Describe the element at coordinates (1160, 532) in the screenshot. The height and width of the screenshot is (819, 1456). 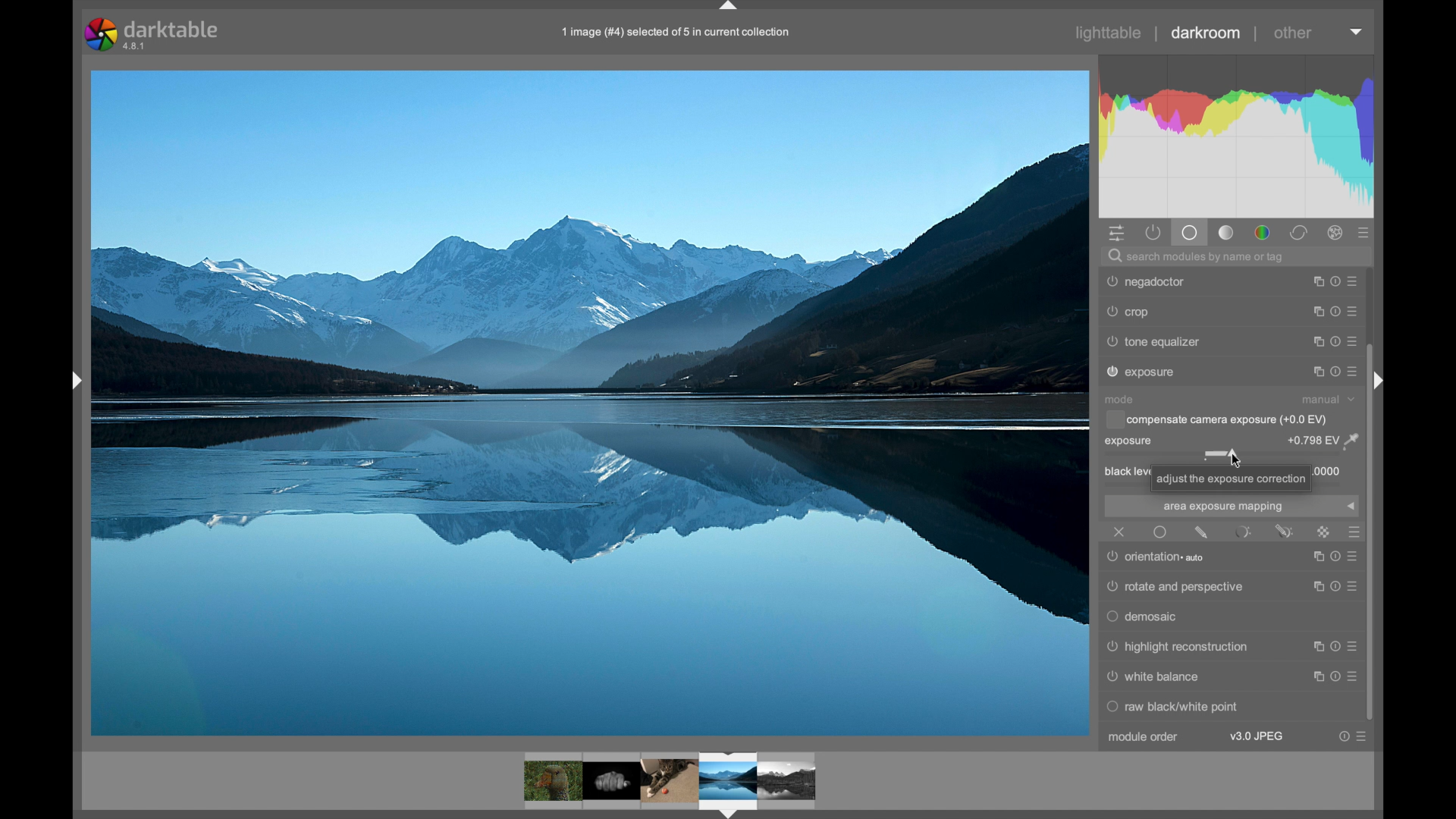
I see `uniformly` at that location.